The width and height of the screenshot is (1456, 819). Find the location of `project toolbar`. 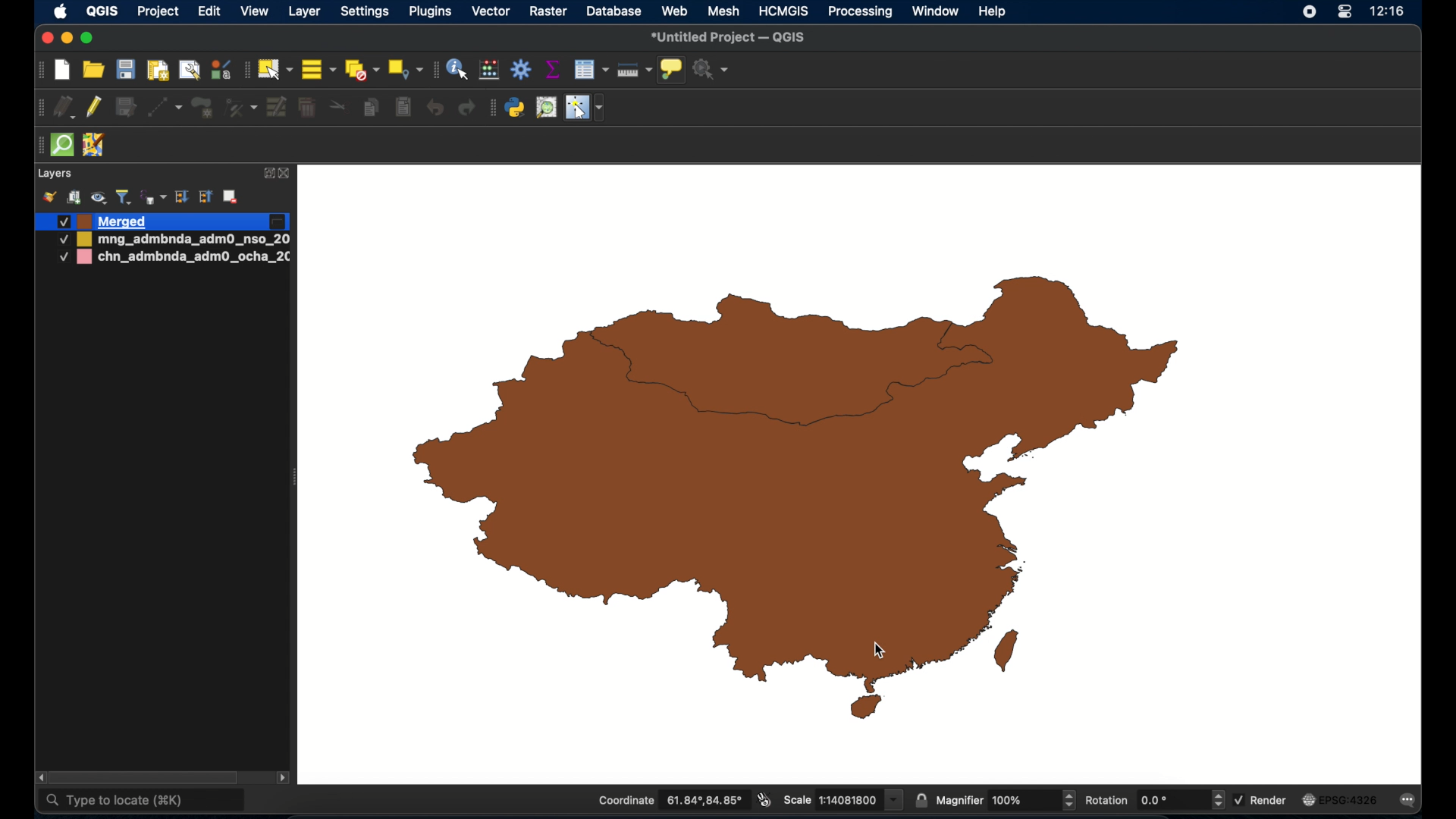

project toolbar is located at coordinates (38, 71).